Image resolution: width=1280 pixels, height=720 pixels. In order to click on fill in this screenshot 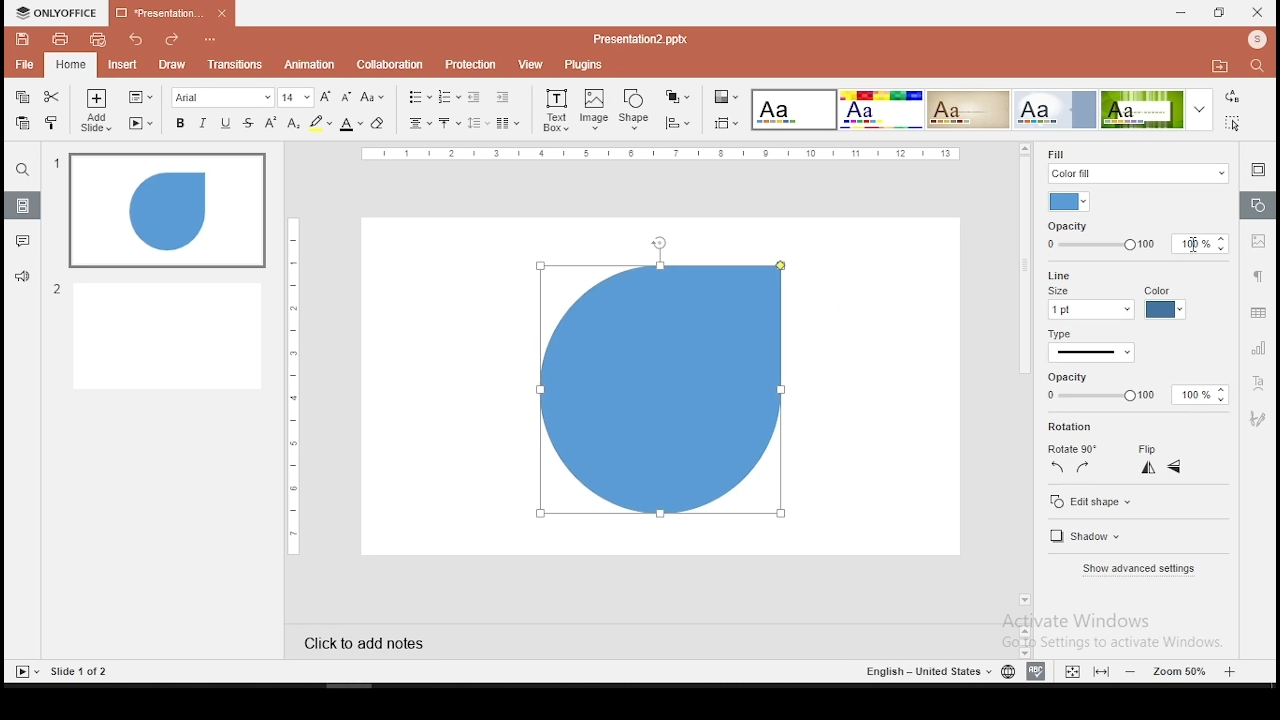, I will do `click(1137, 164)`.